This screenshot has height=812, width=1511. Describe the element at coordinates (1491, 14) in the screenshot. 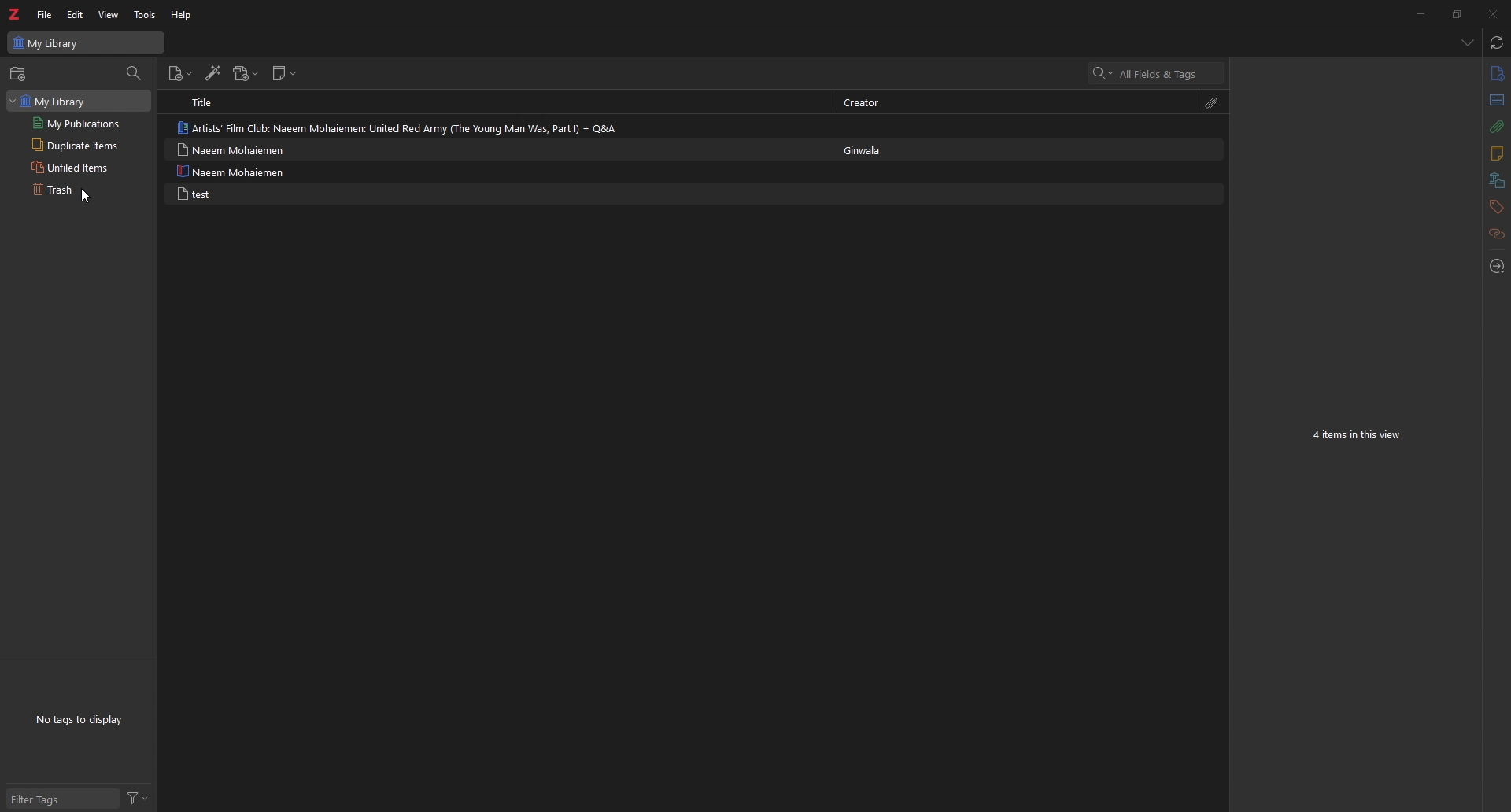

I see `close` at that location.